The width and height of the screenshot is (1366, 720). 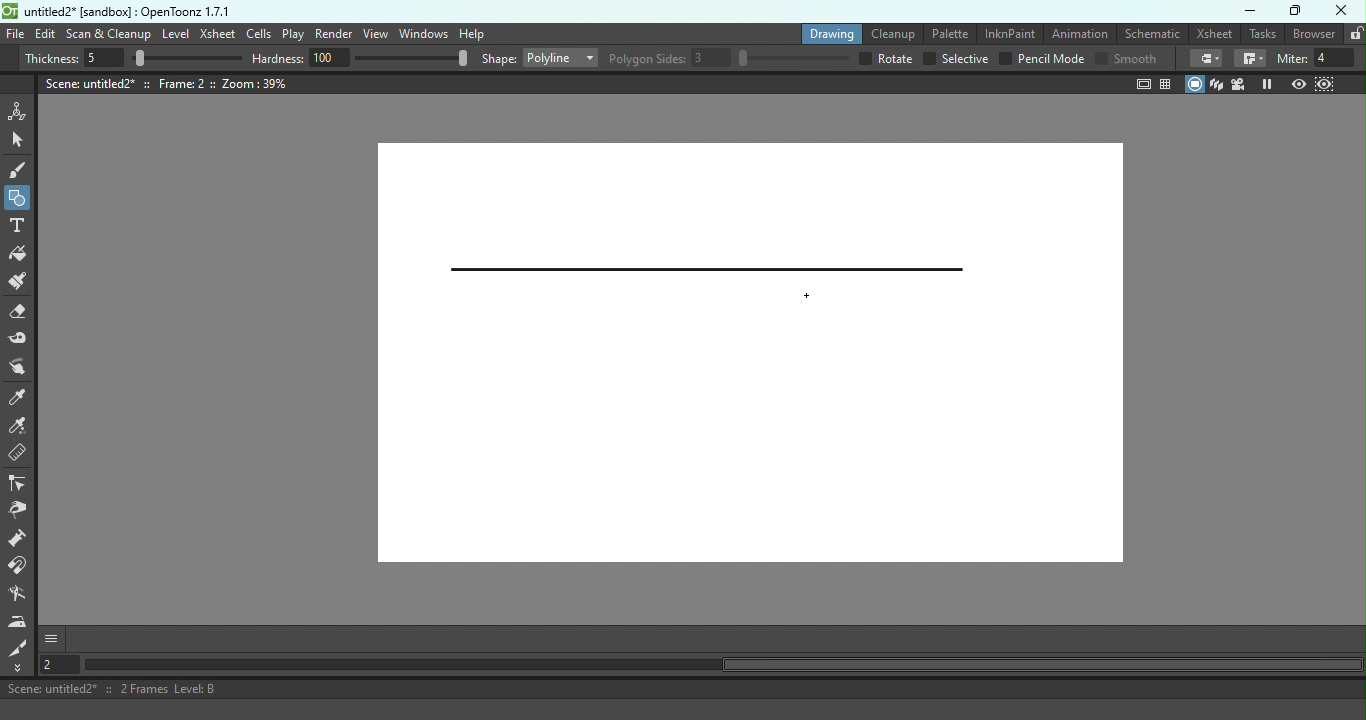 I want to click on Tasks, so click(x=1263, y=34).